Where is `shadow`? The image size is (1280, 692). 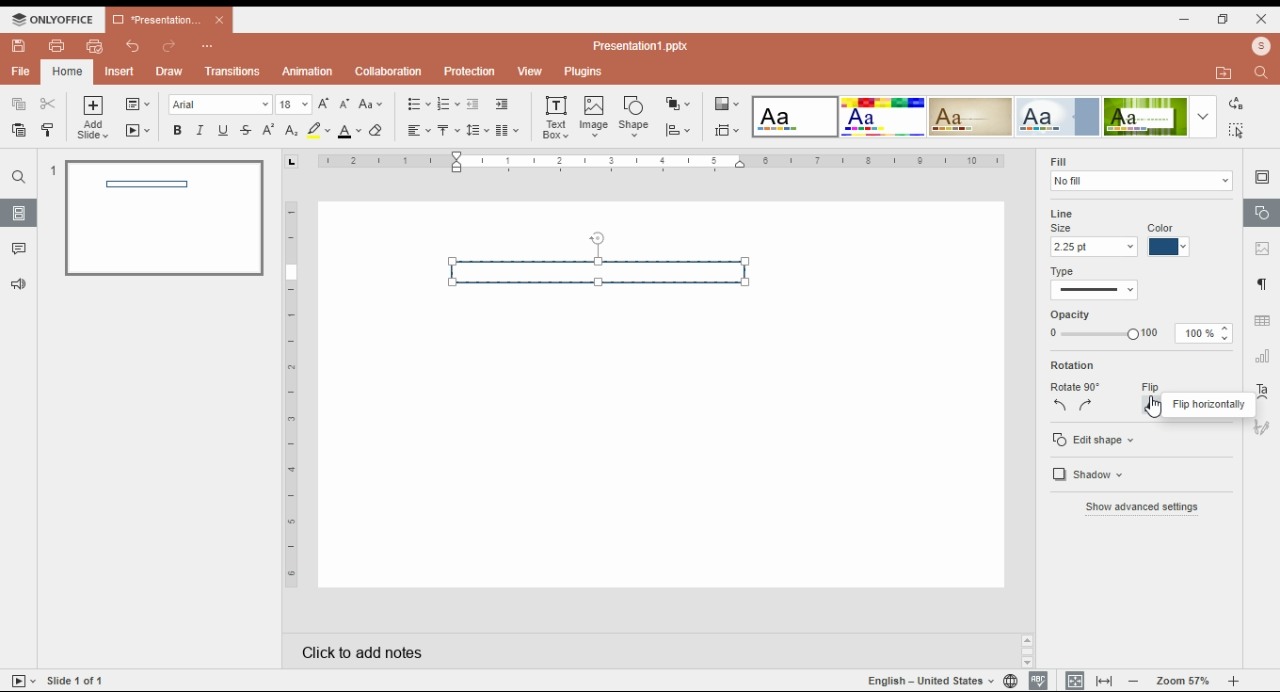 shadow is located at coordinates (1098, 474).